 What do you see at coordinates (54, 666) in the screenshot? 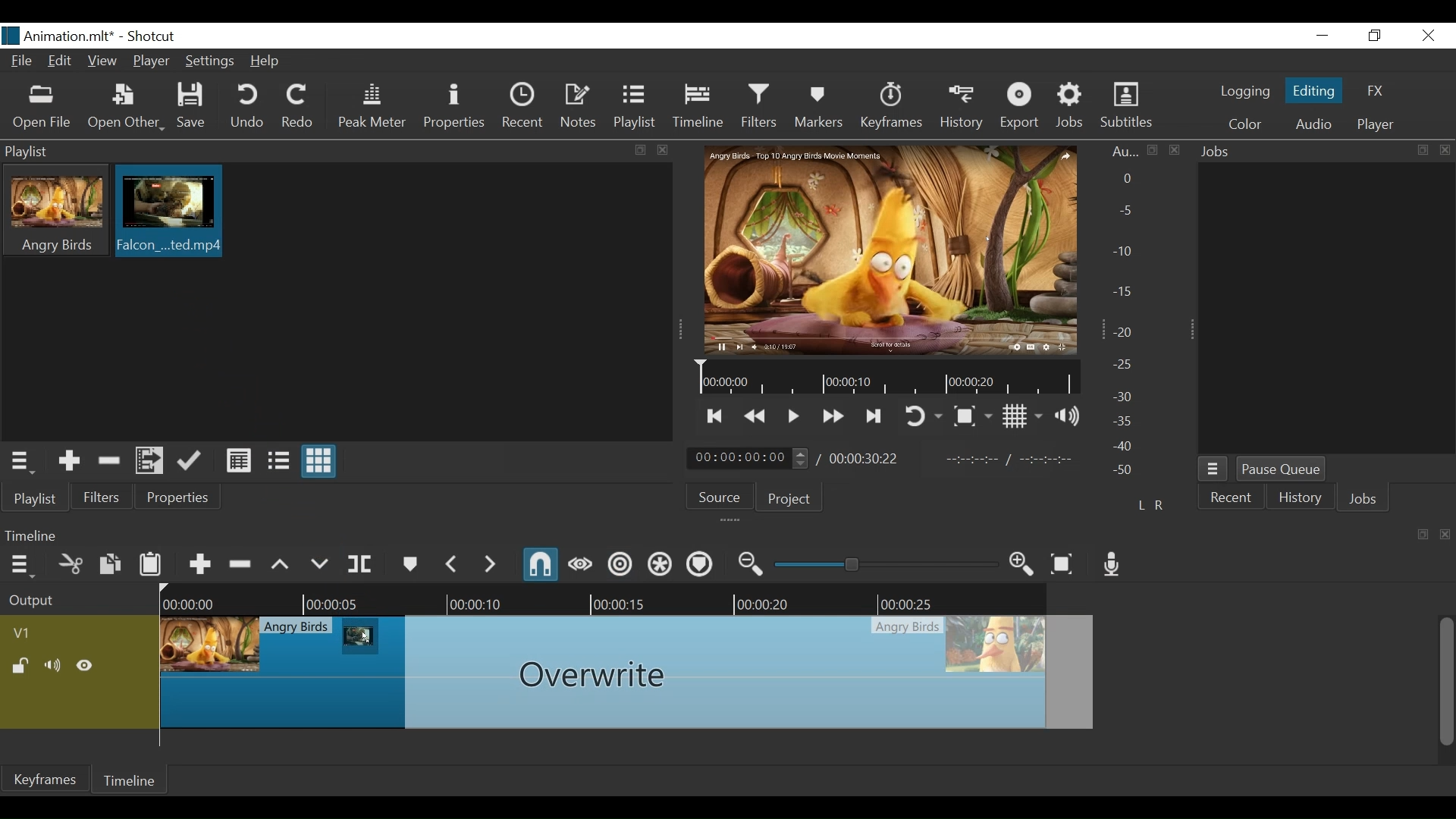
I see `Mute` at bounding box center [54, 666].